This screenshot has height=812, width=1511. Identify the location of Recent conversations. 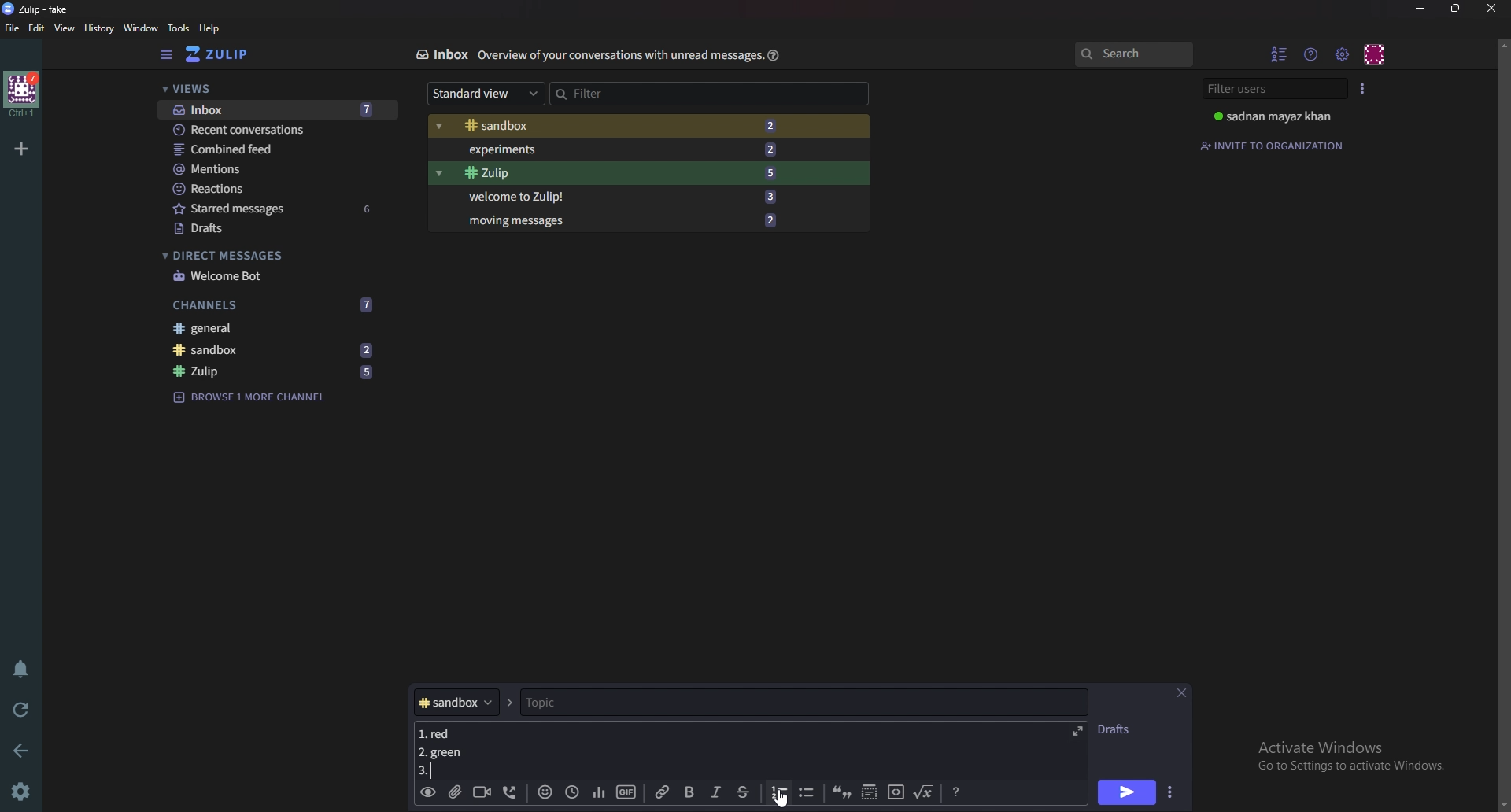
(278, 131).